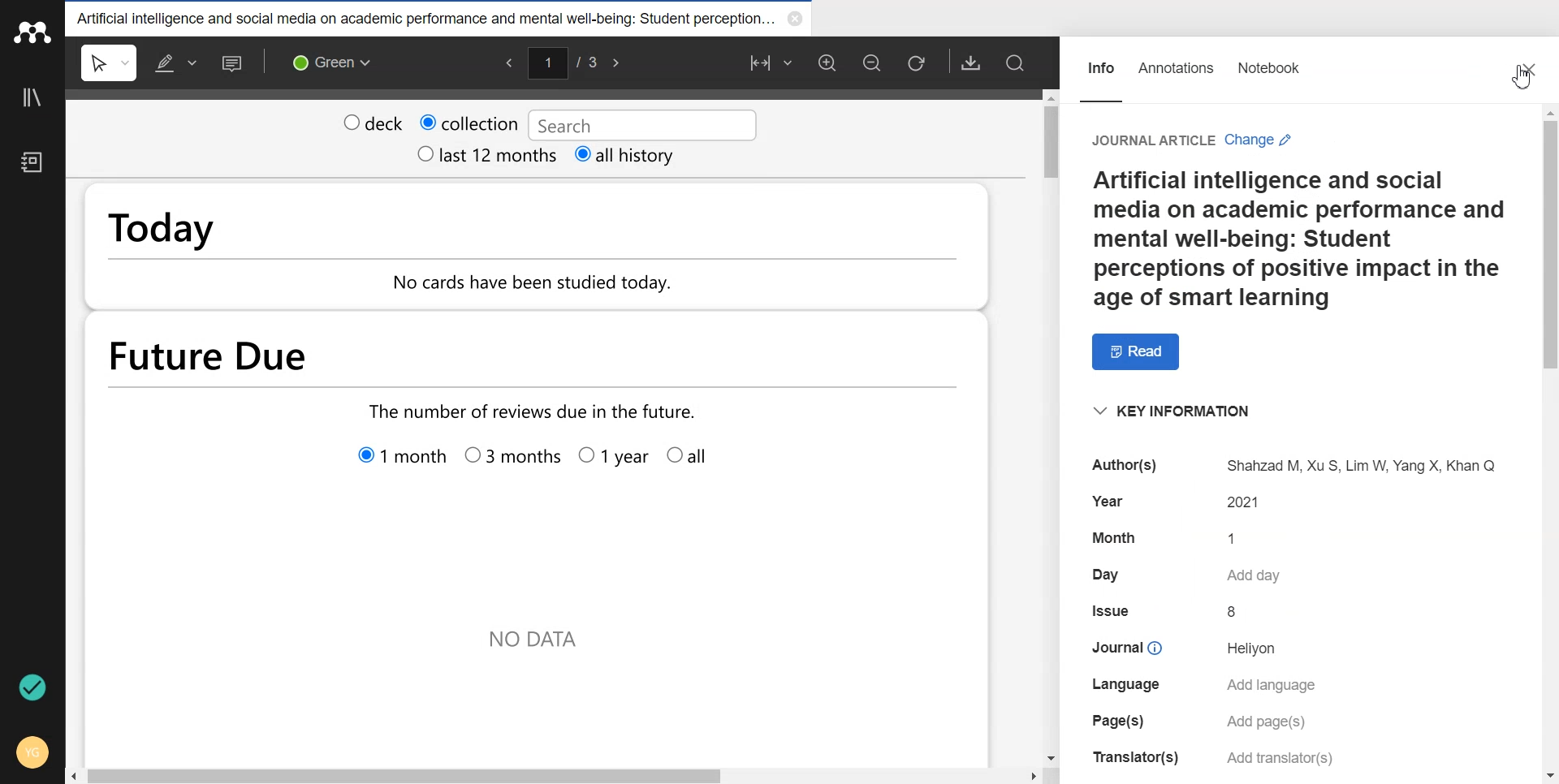 The width and height of the screenshot is (1559, 784). I want to click on Vertical scroll bar, so click(1548, 445).